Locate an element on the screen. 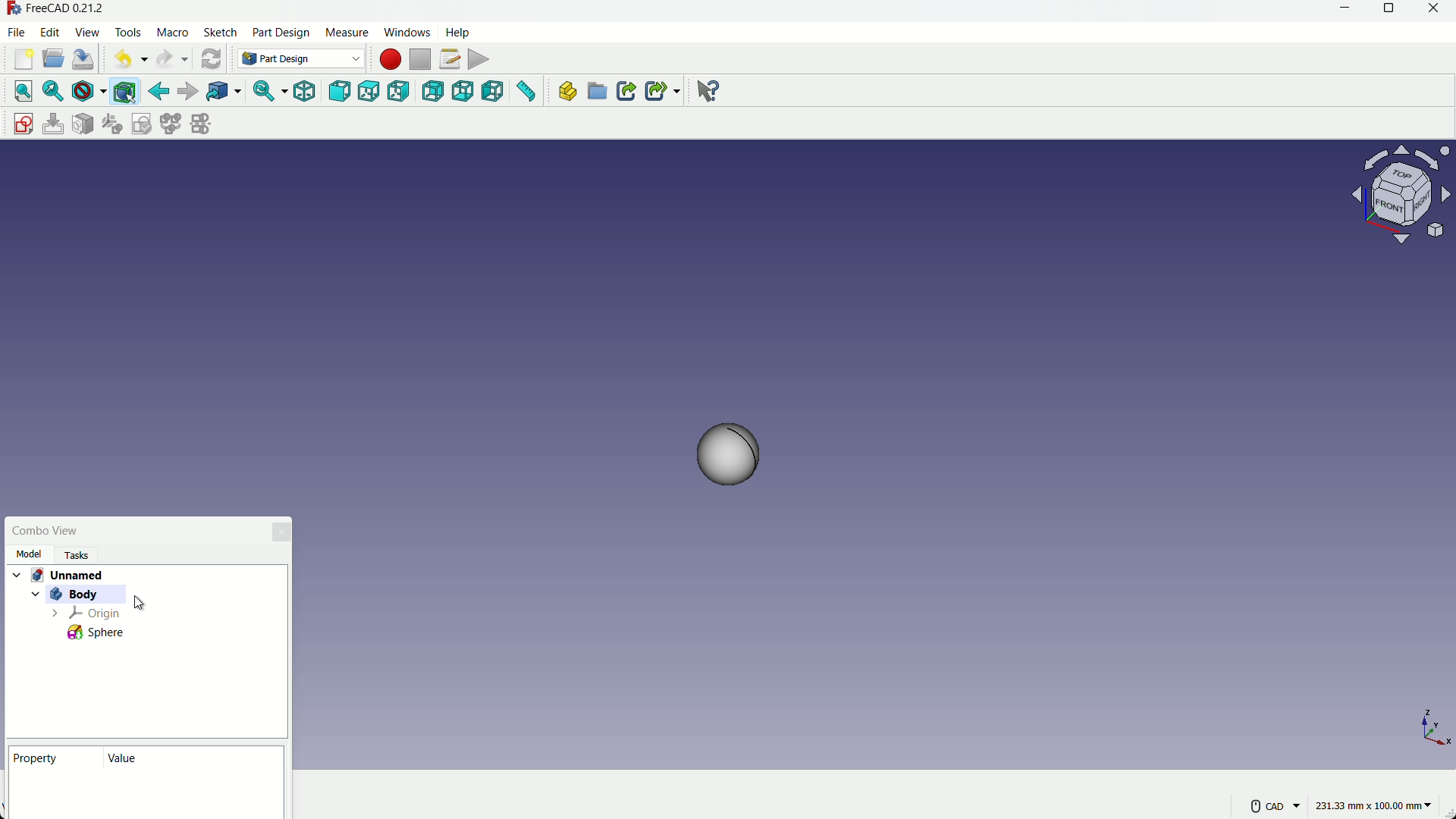 The image size is (1456, 819). open file is located at coordinates (54, 58).